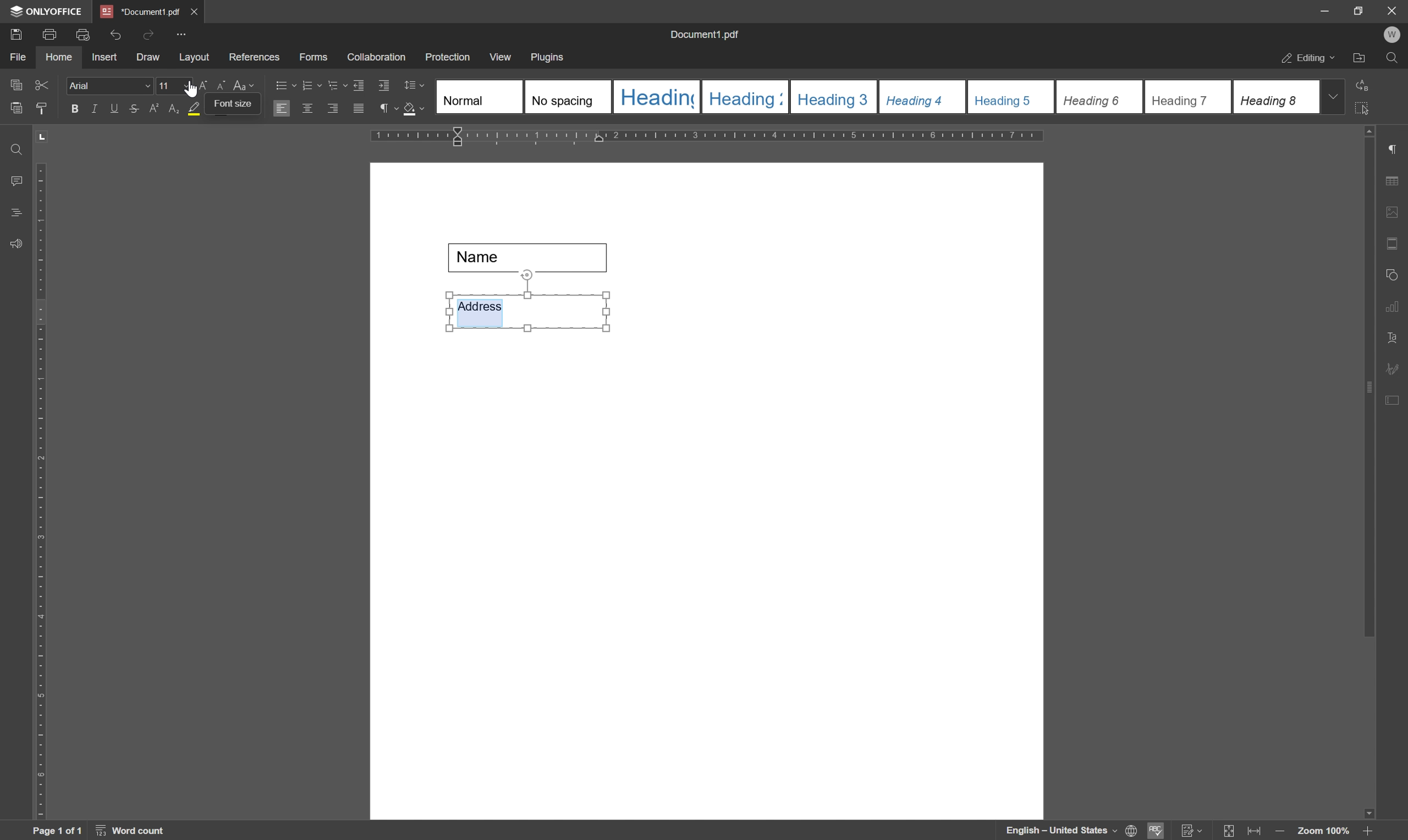 This screenshot has width=1408, height=840. I want to click on home, so click(59, 57).